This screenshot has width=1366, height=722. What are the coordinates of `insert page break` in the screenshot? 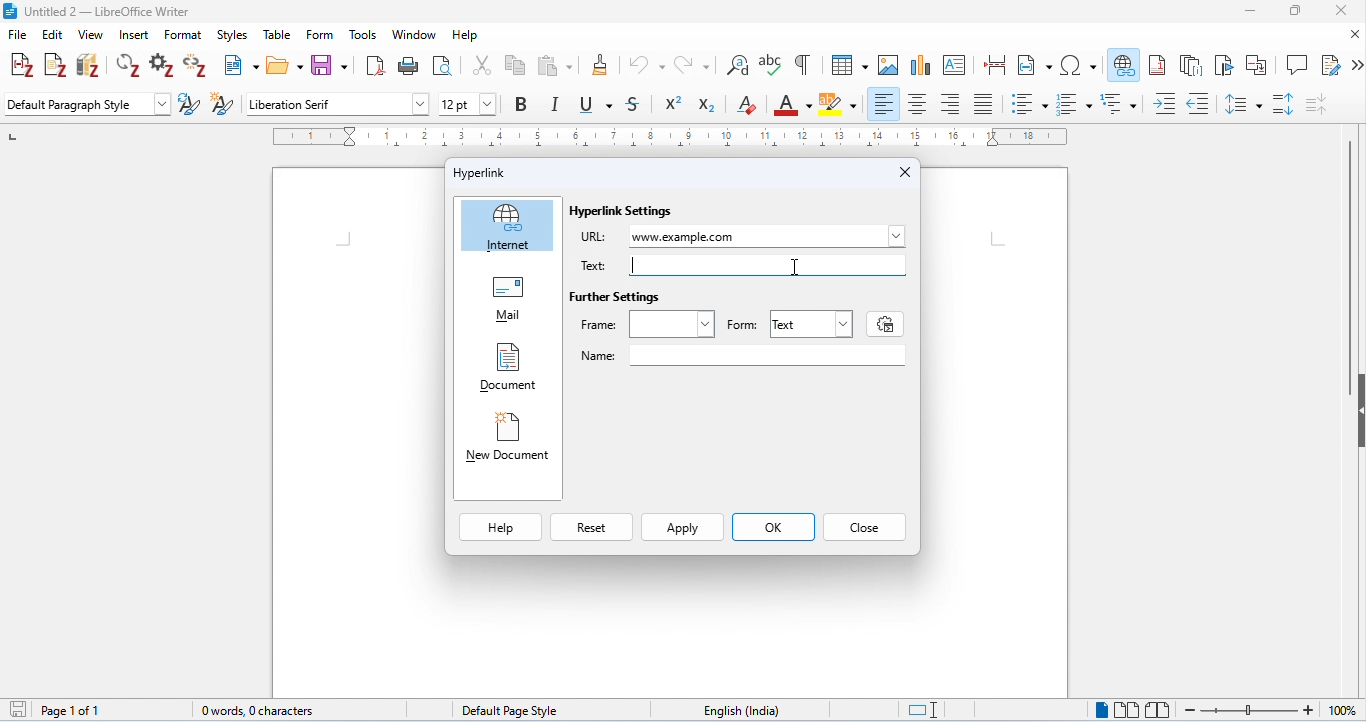 It's located at (995, 64).